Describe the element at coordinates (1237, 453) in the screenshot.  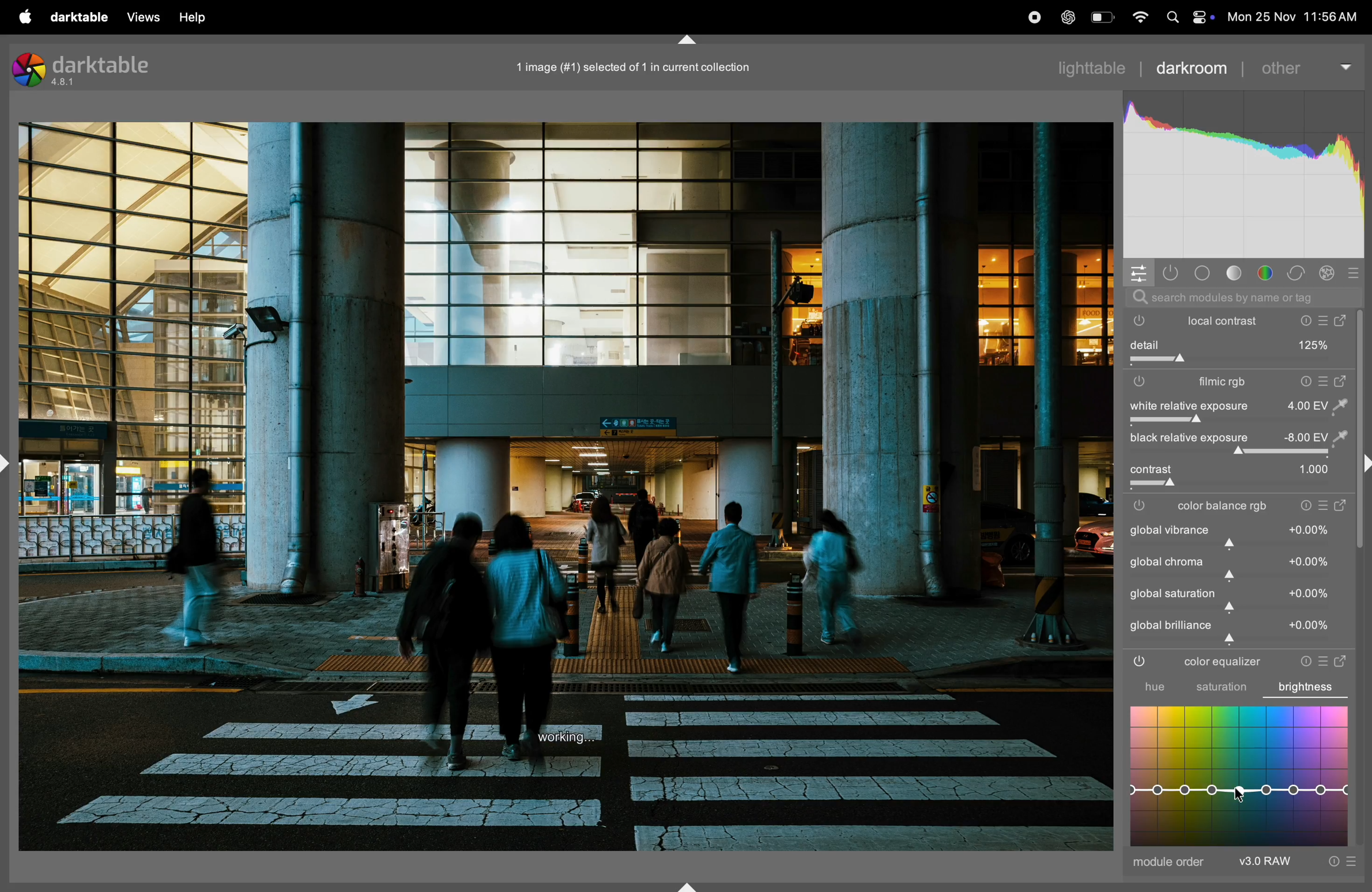
I see `toggle` at that location.